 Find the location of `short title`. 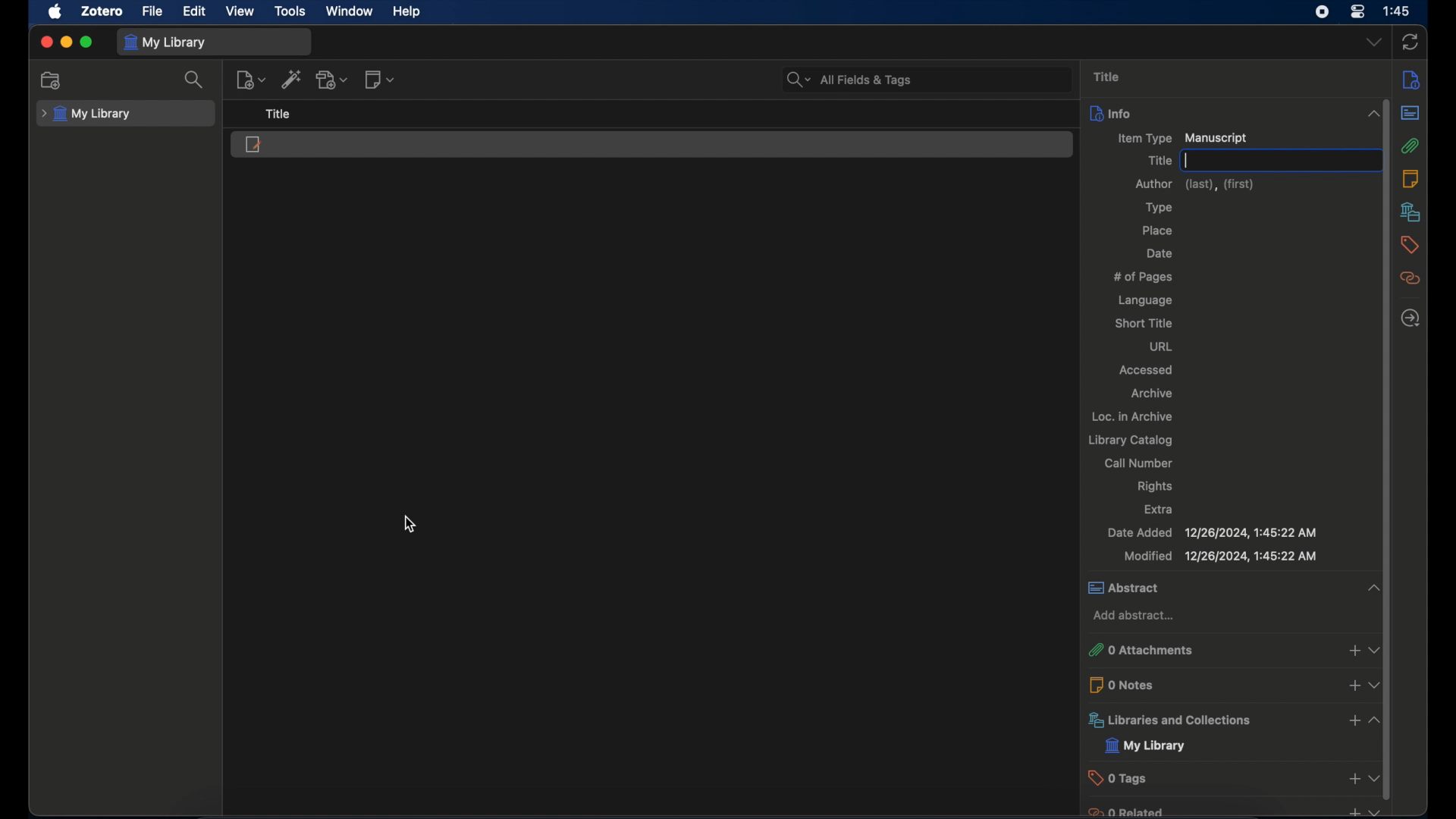

short title is located at coordinates (1143, 322).